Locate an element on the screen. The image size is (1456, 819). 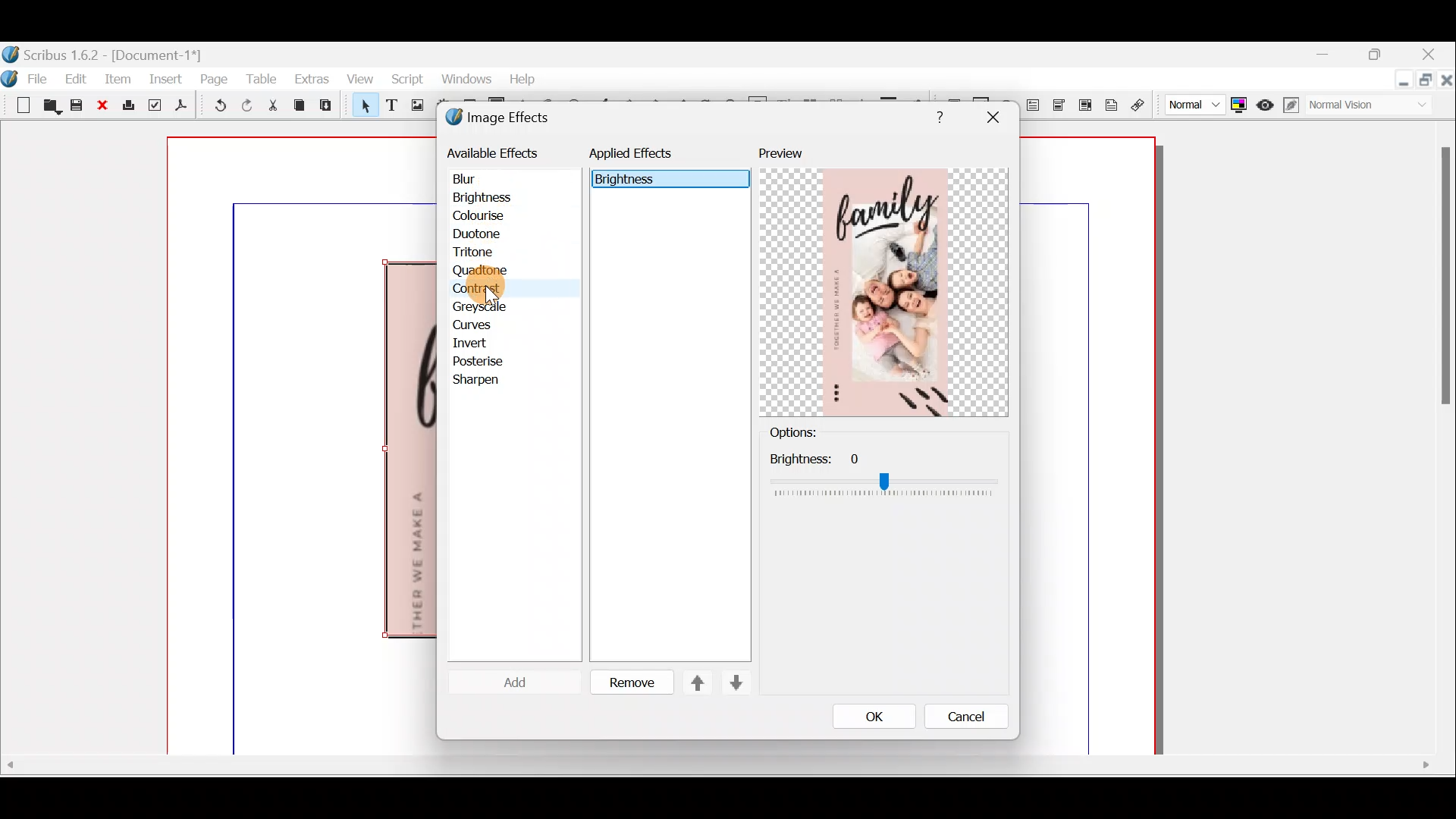
Copy is located at coordinates (300, 105).